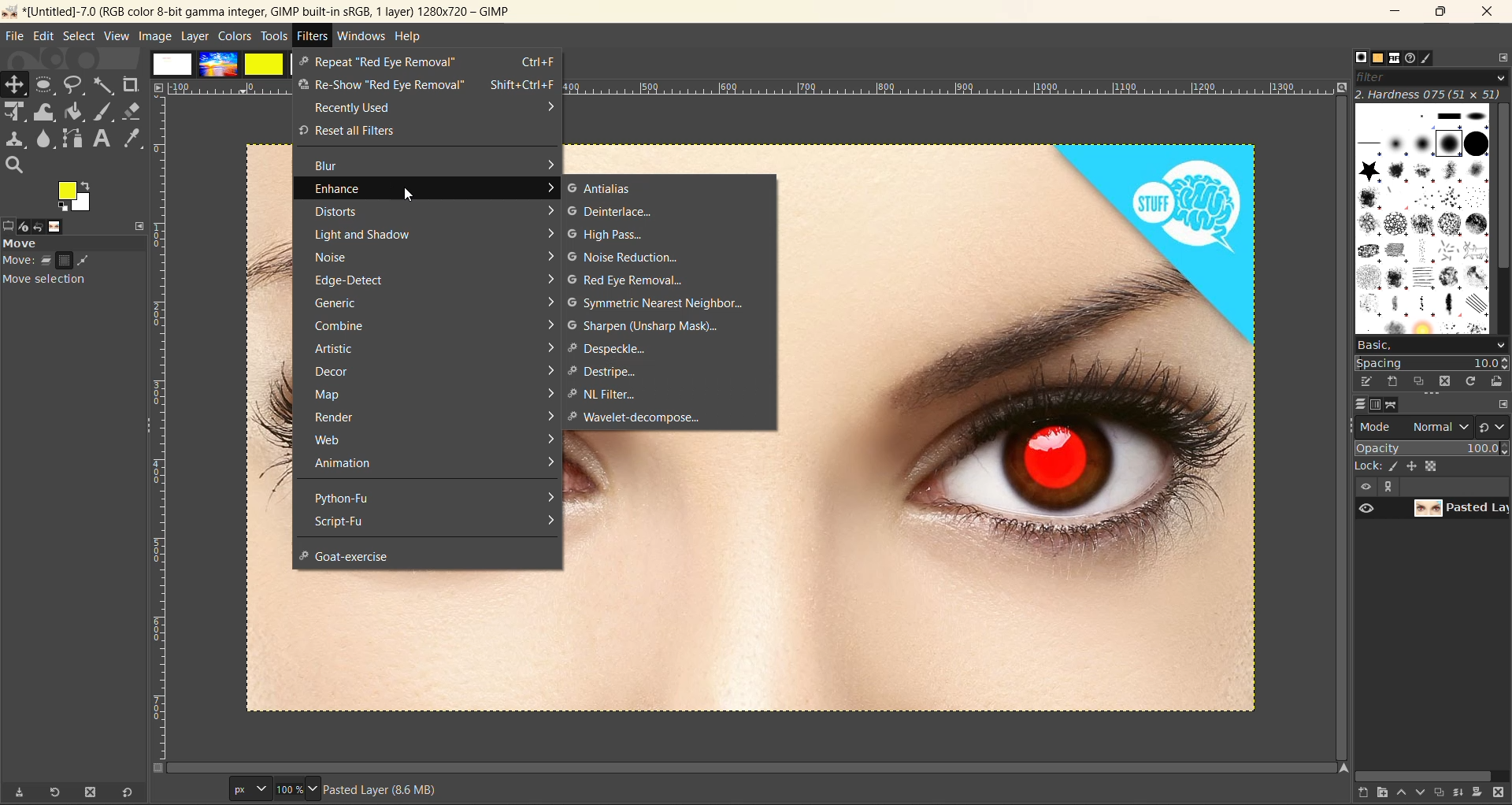 The width and height of the screenshot is (1512, 805). I want to click on NL filter, so click(611, 393).